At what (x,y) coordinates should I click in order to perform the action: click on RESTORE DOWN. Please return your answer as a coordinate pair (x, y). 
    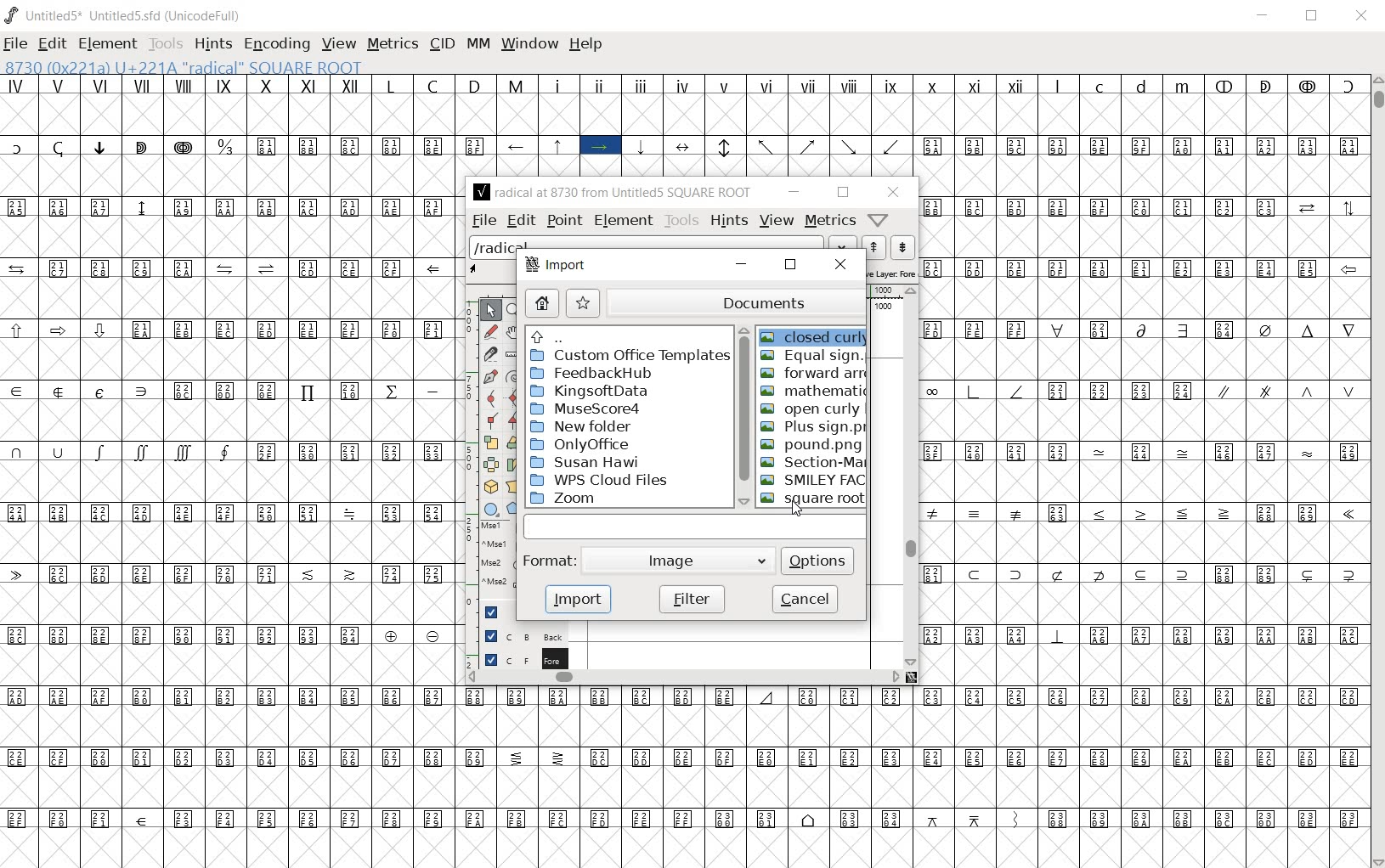
    Looking at the image, I should click on (1313, 16).